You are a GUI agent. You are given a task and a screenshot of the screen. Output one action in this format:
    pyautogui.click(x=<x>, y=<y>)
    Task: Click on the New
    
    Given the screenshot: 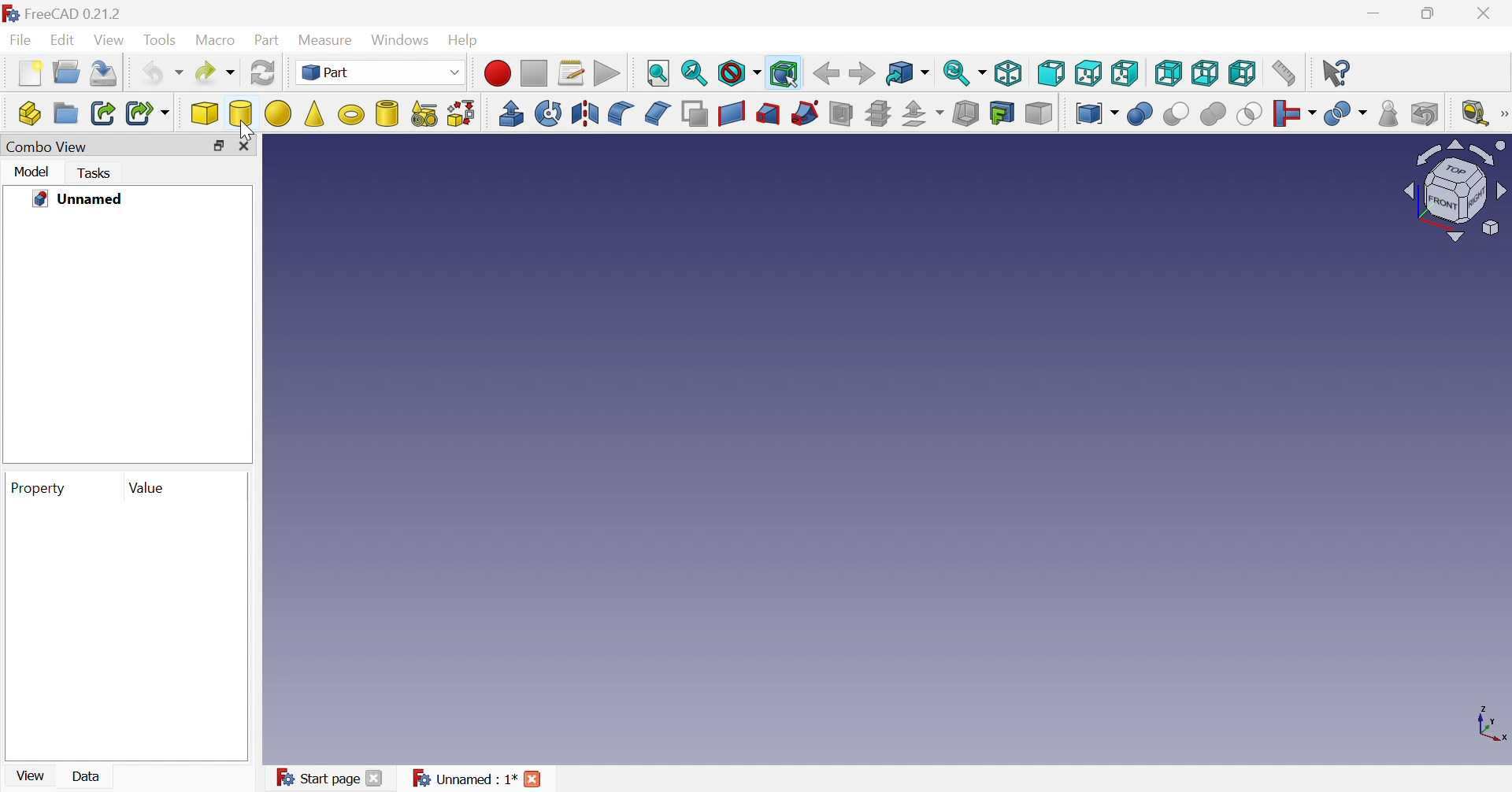 What is the action you would take?
    pyautogui.click(x=31, y=73)
    